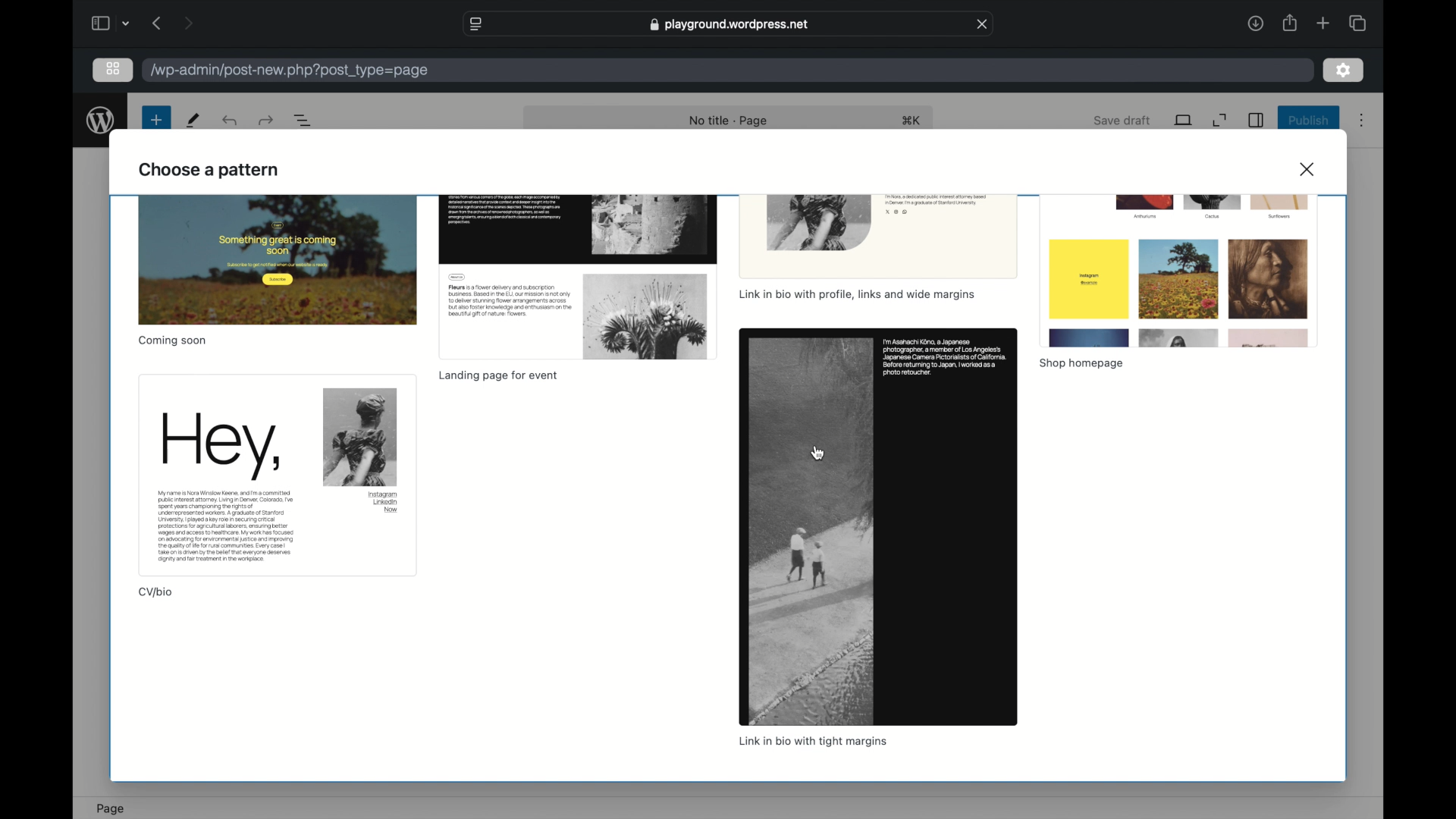  What do you see at coordinates (1288, 23) in the screenshot?
I see `share` at bounding box center [1288, 23].